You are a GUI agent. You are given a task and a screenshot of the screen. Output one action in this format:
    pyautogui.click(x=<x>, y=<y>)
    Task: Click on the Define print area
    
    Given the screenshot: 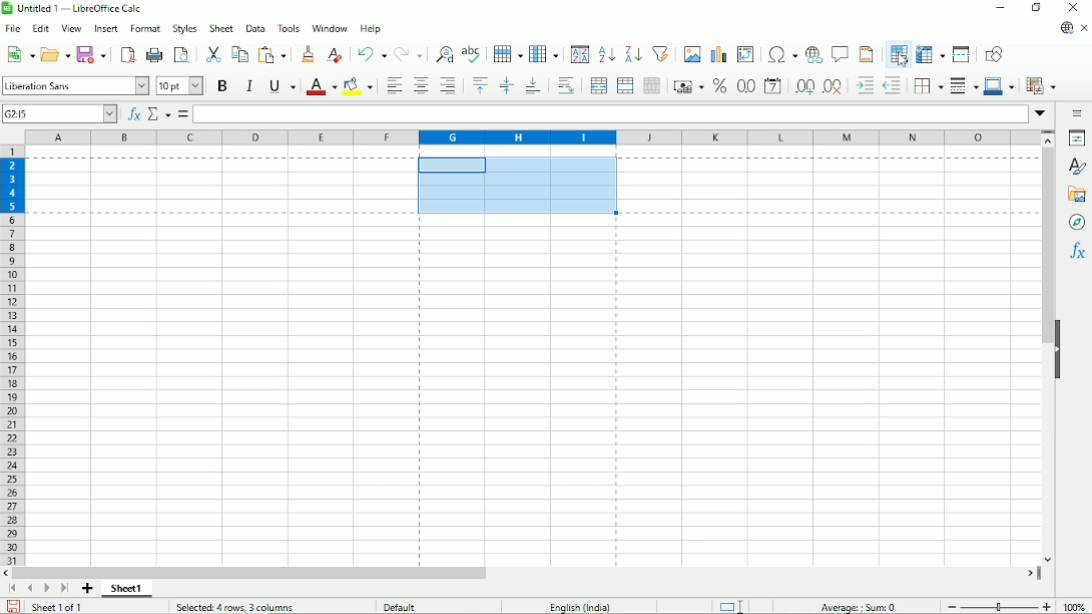 What is the action you would take?
    pyautogui.click(x=898, y=53)
    